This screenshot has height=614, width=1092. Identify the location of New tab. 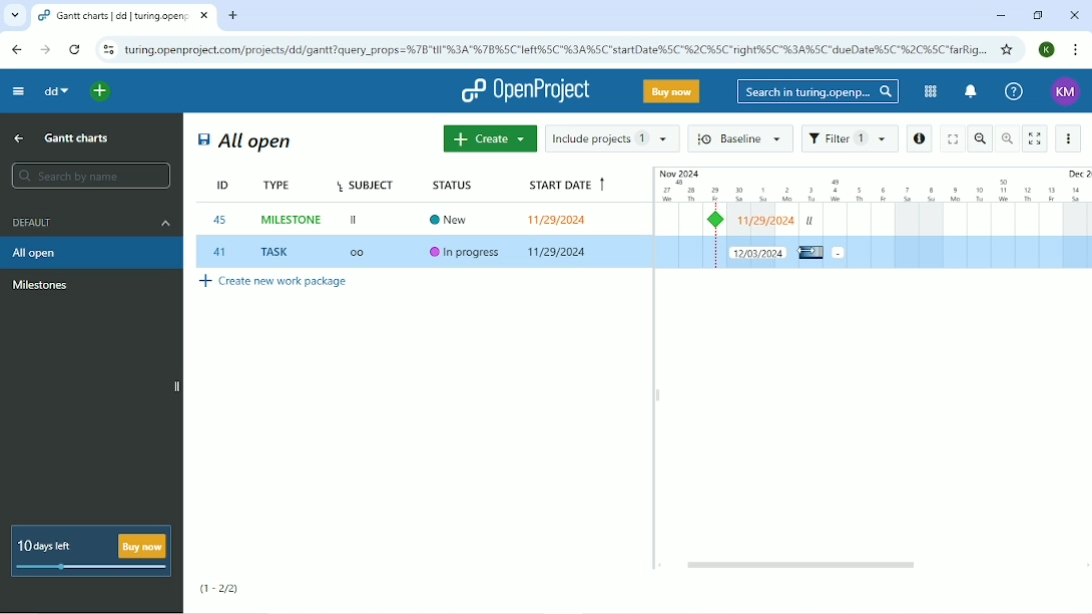
(235, 15).